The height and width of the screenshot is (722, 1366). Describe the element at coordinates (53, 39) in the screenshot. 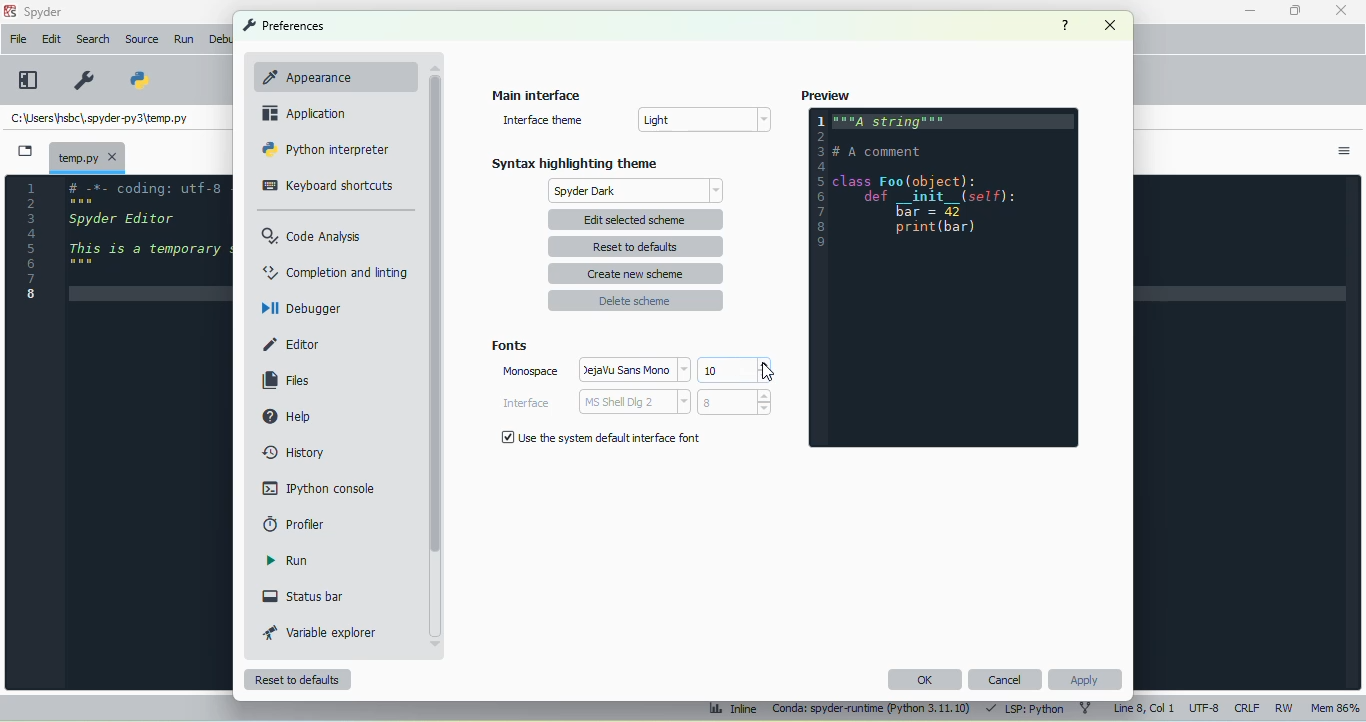

I see `edit` at that location.